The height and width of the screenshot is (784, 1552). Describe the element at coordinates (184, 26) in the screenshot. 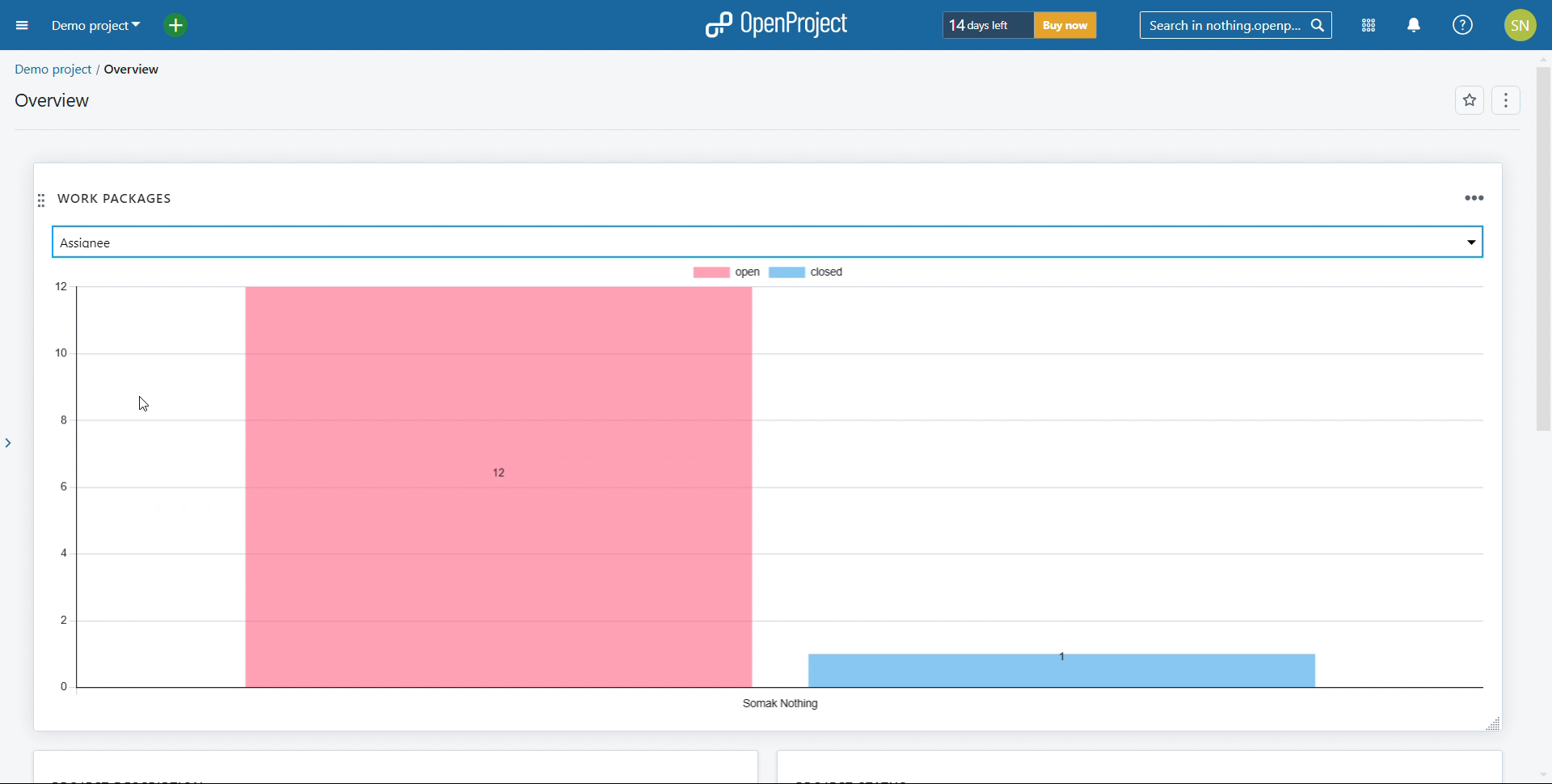

I see `add project` at that location.